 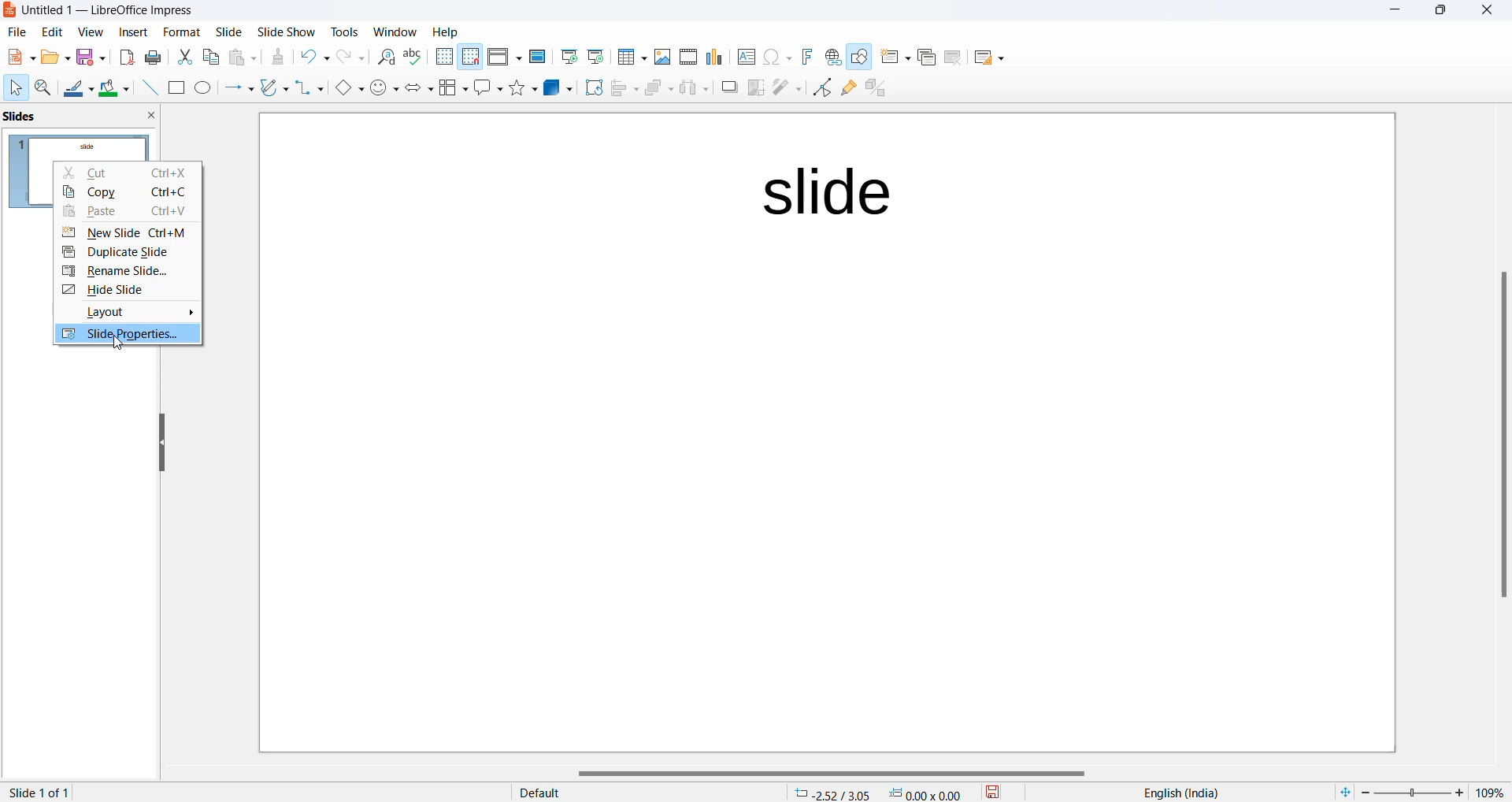 I want to click on paste, so click(x=126, y=213).